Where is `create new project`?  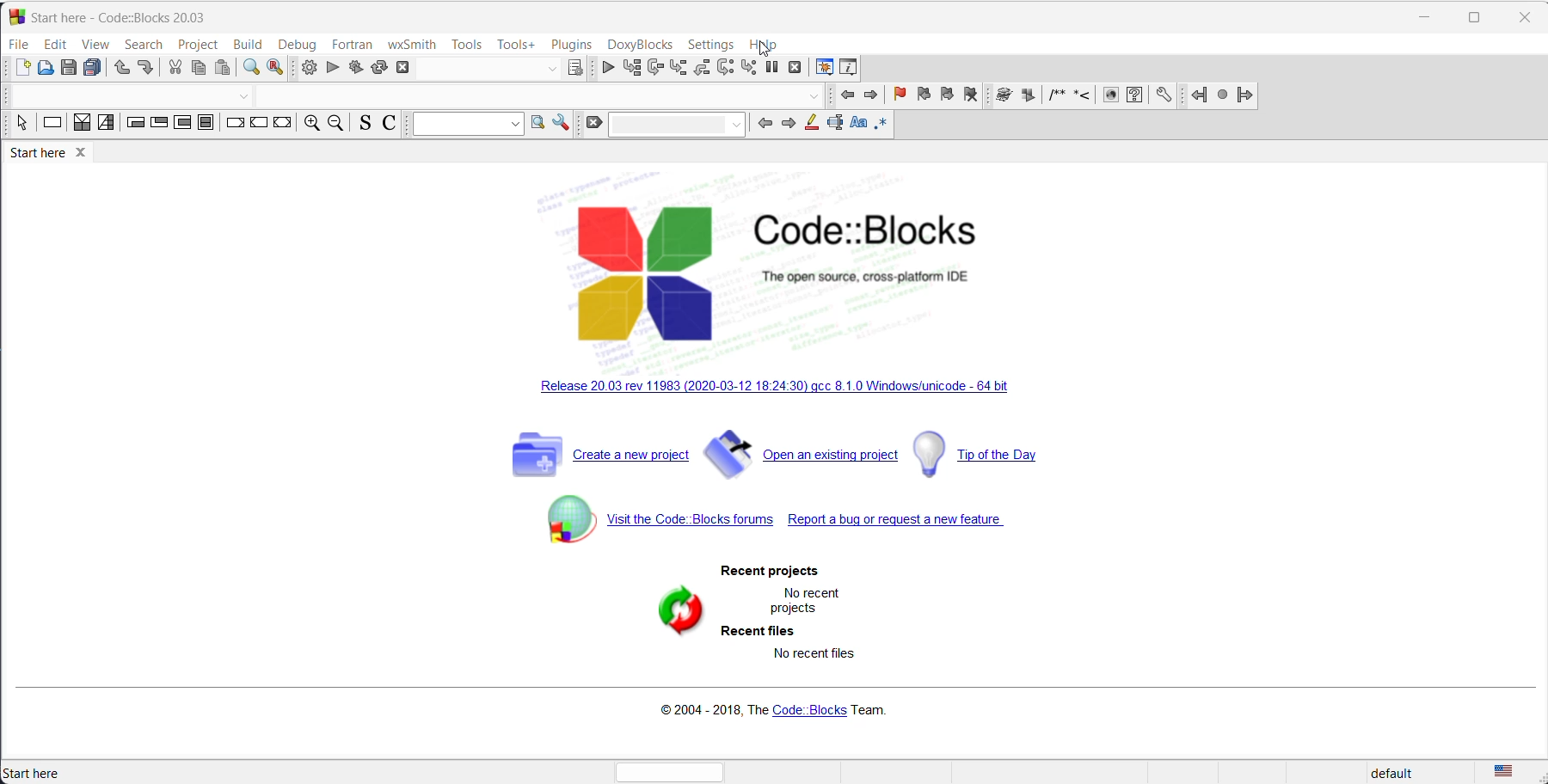
create new project is located at coordinates (593, 462).